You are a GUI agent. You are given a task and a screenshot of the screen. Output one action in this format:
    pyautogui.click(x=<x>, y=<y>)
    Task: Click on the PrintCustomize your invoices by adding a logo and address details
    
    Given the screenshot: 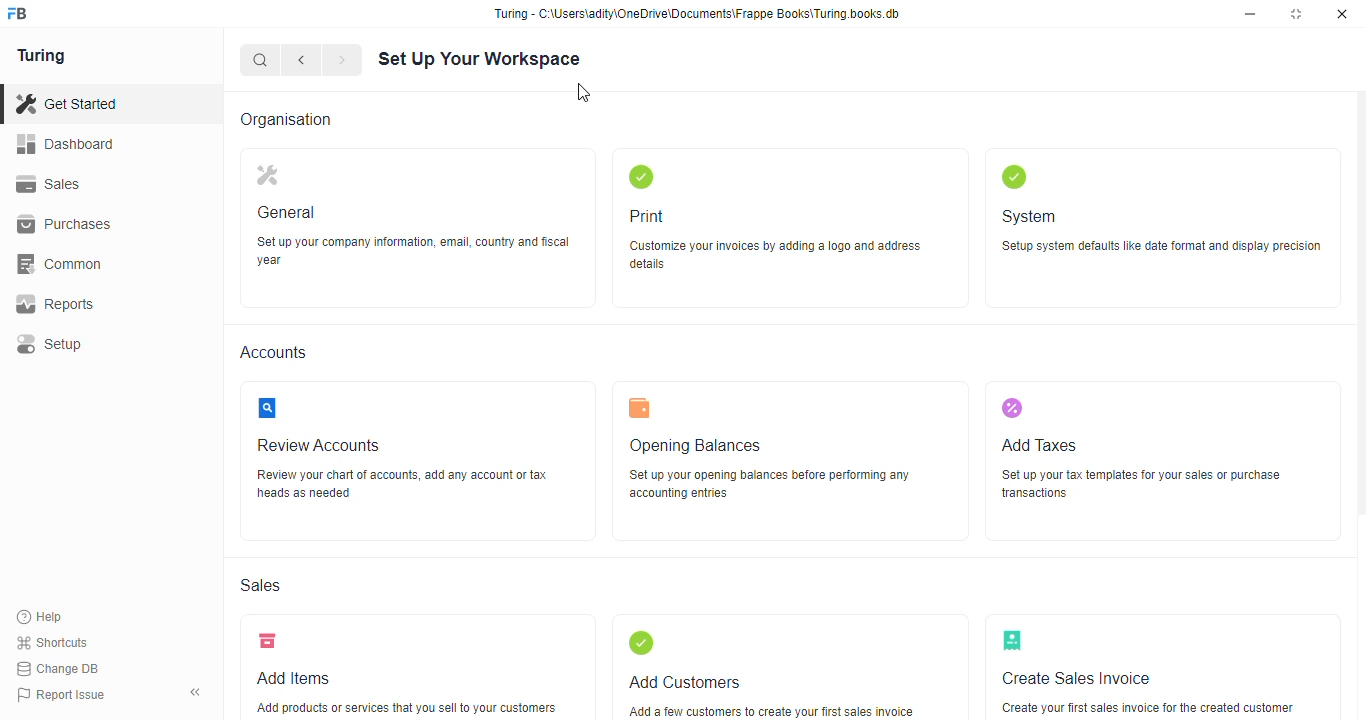 What is the action you would take?
    pyautogui.click(x=793, y=228)
    